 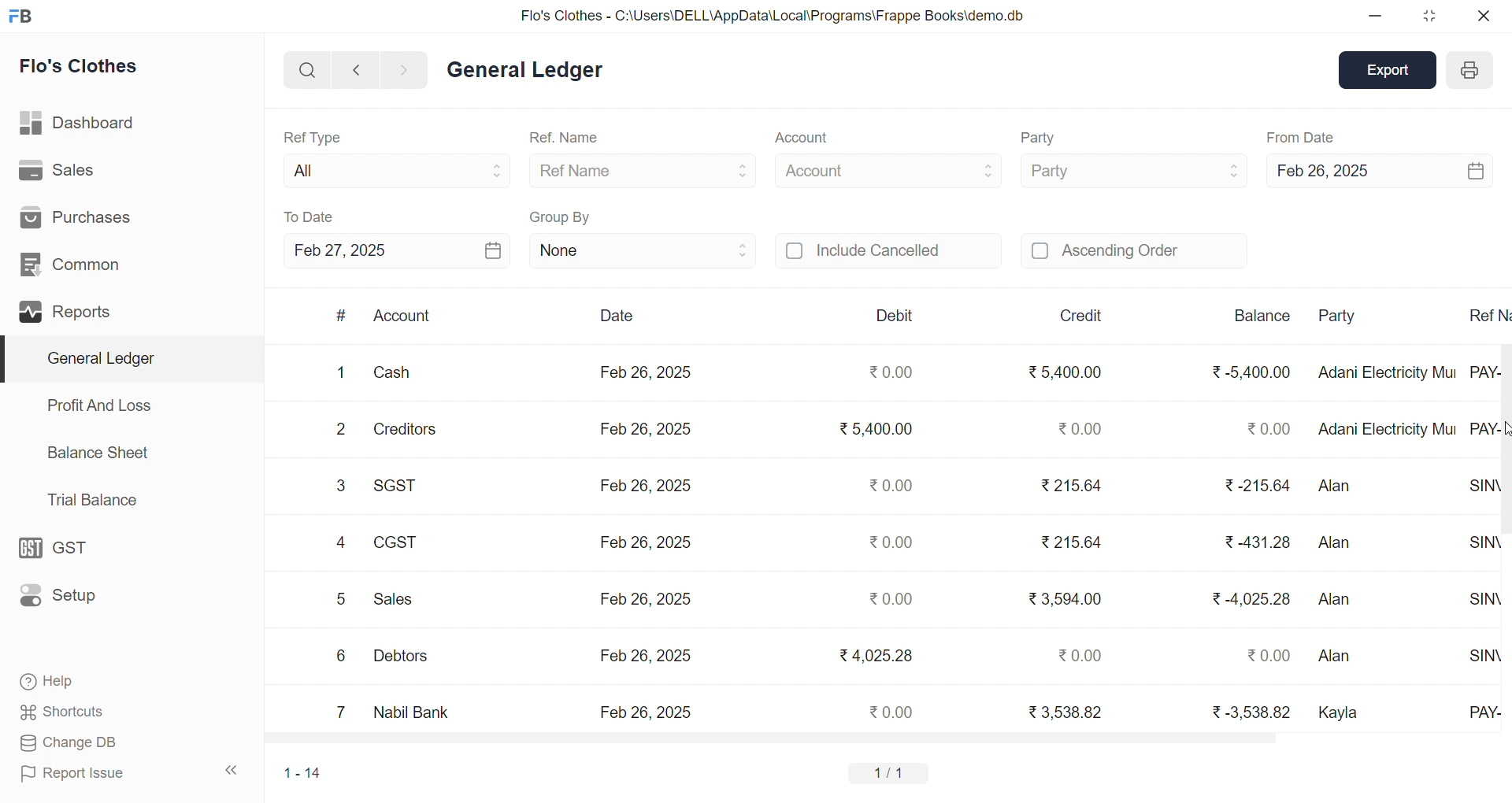 What do you see at coordinates (1247, 709) in the screenshot?
I see `₹ -3,538.82` at bounding box center [1247, 709].